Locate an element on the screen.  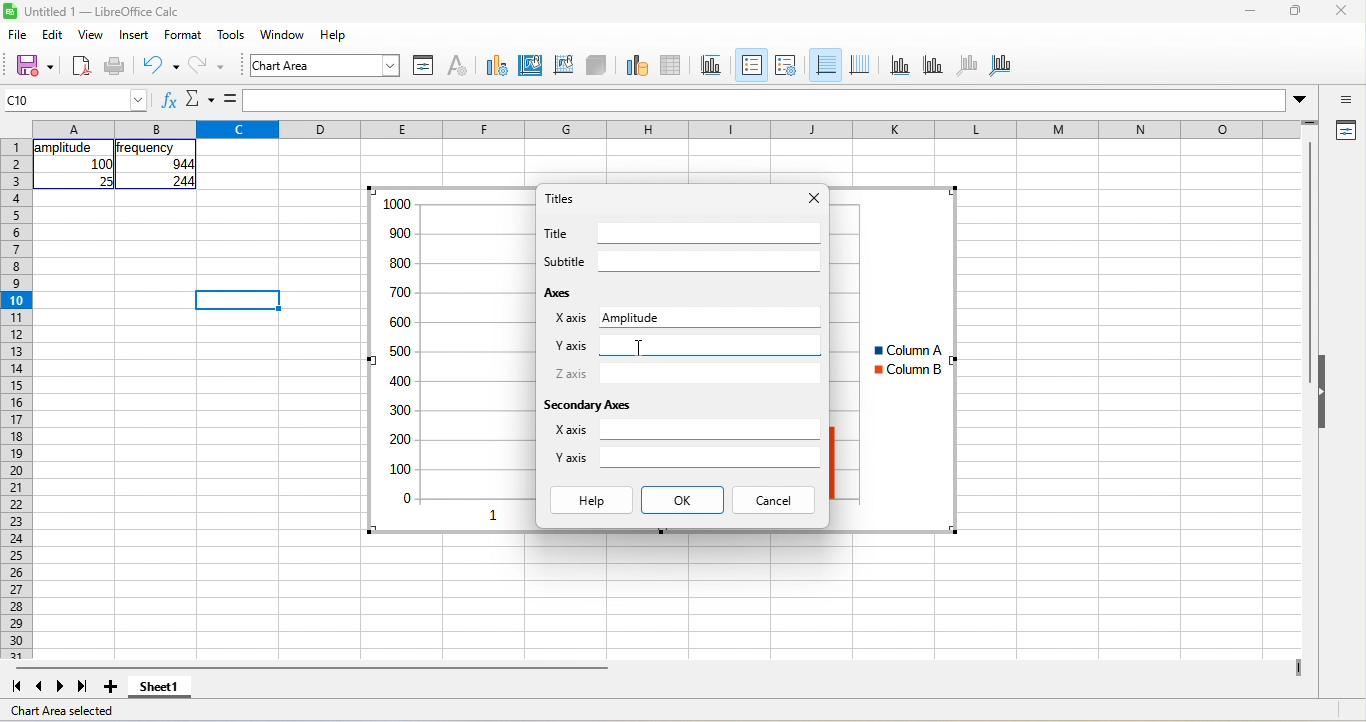
y axis is located at coordinates (933, 66).